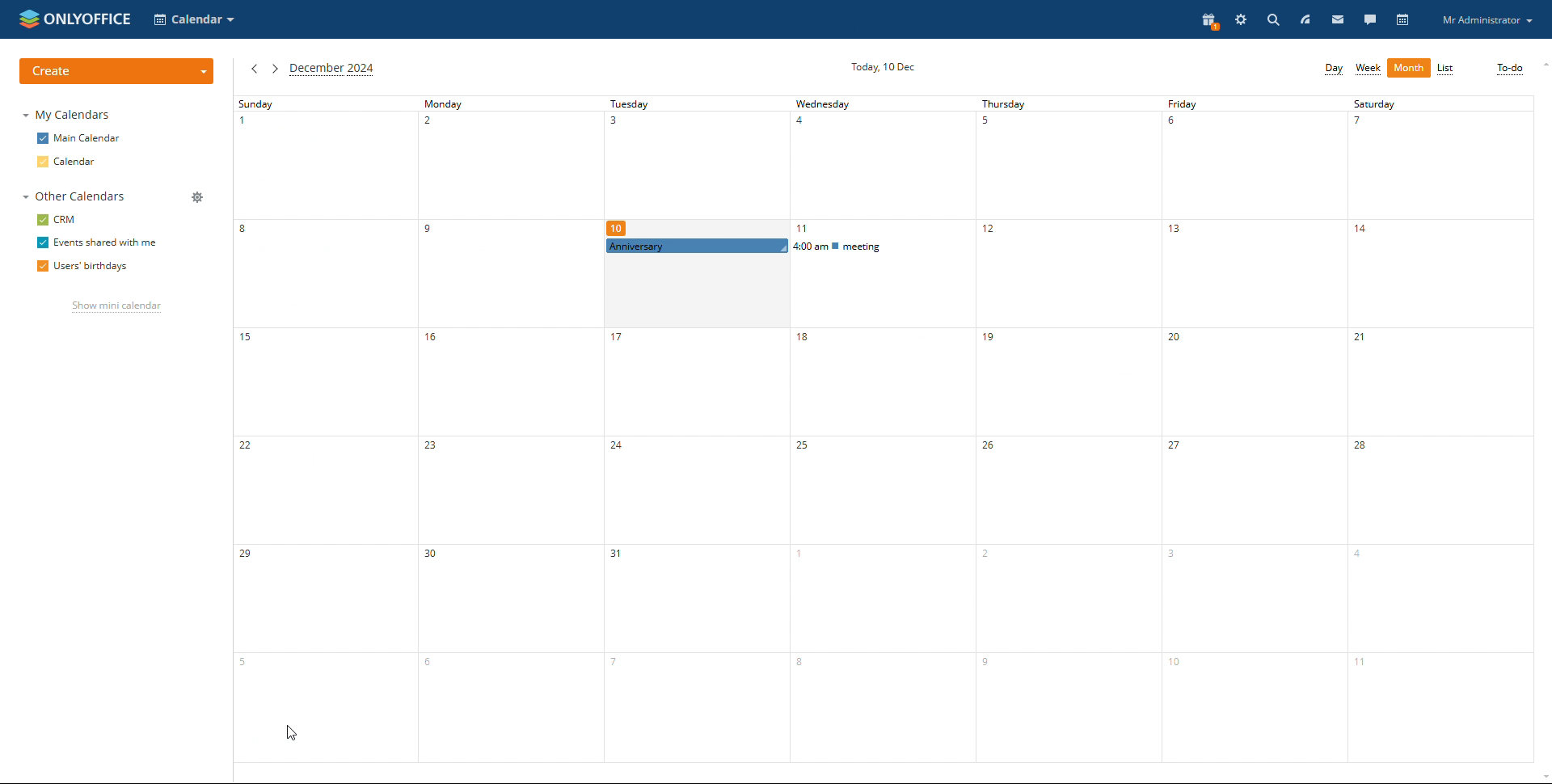  What do you see at coordinates (1368, 69) in the screenshot?
I see `week view` at bounding box center [1368, 69].